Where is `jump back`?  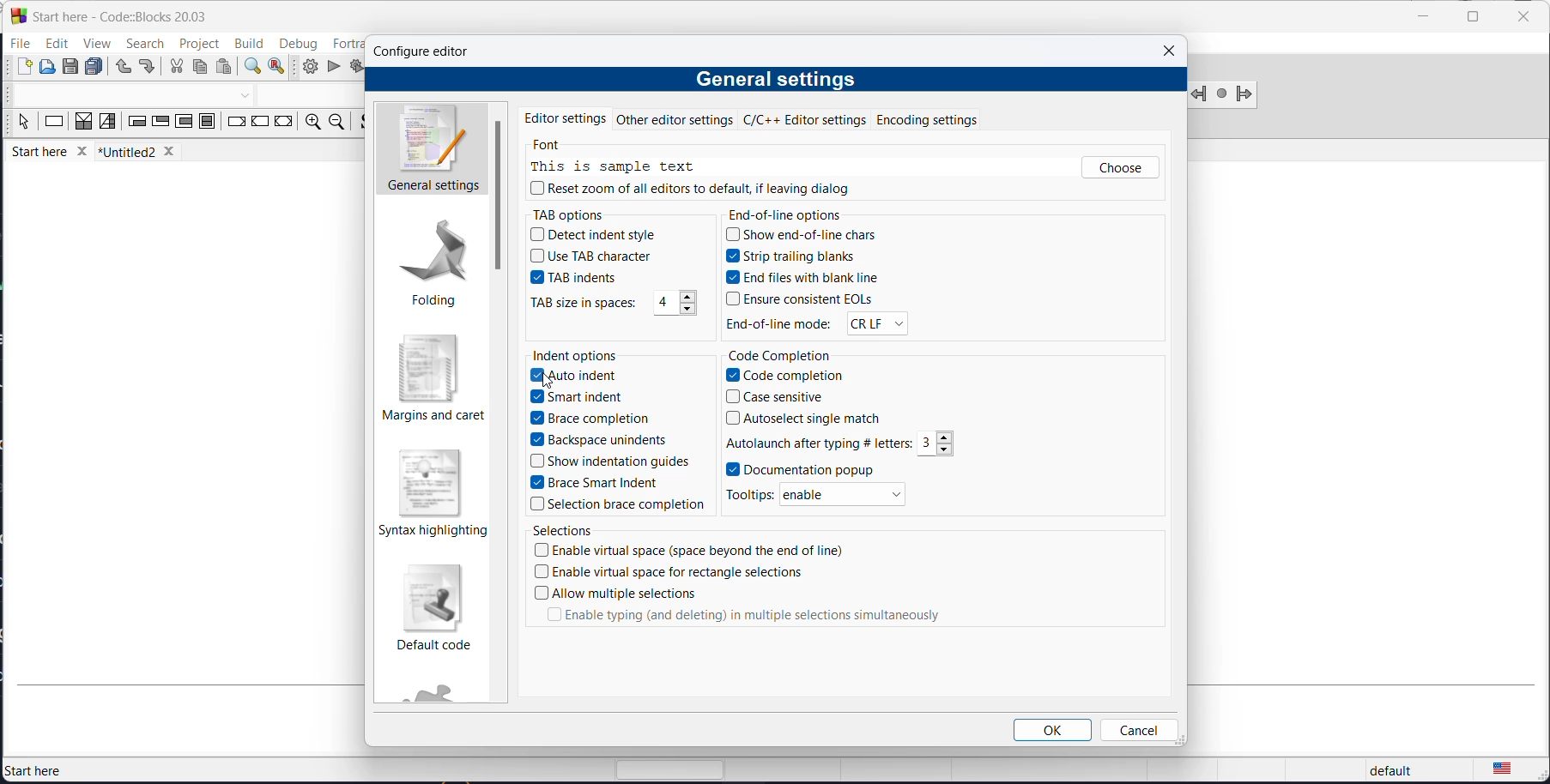 jump back is located at coordinates (1200, 94).